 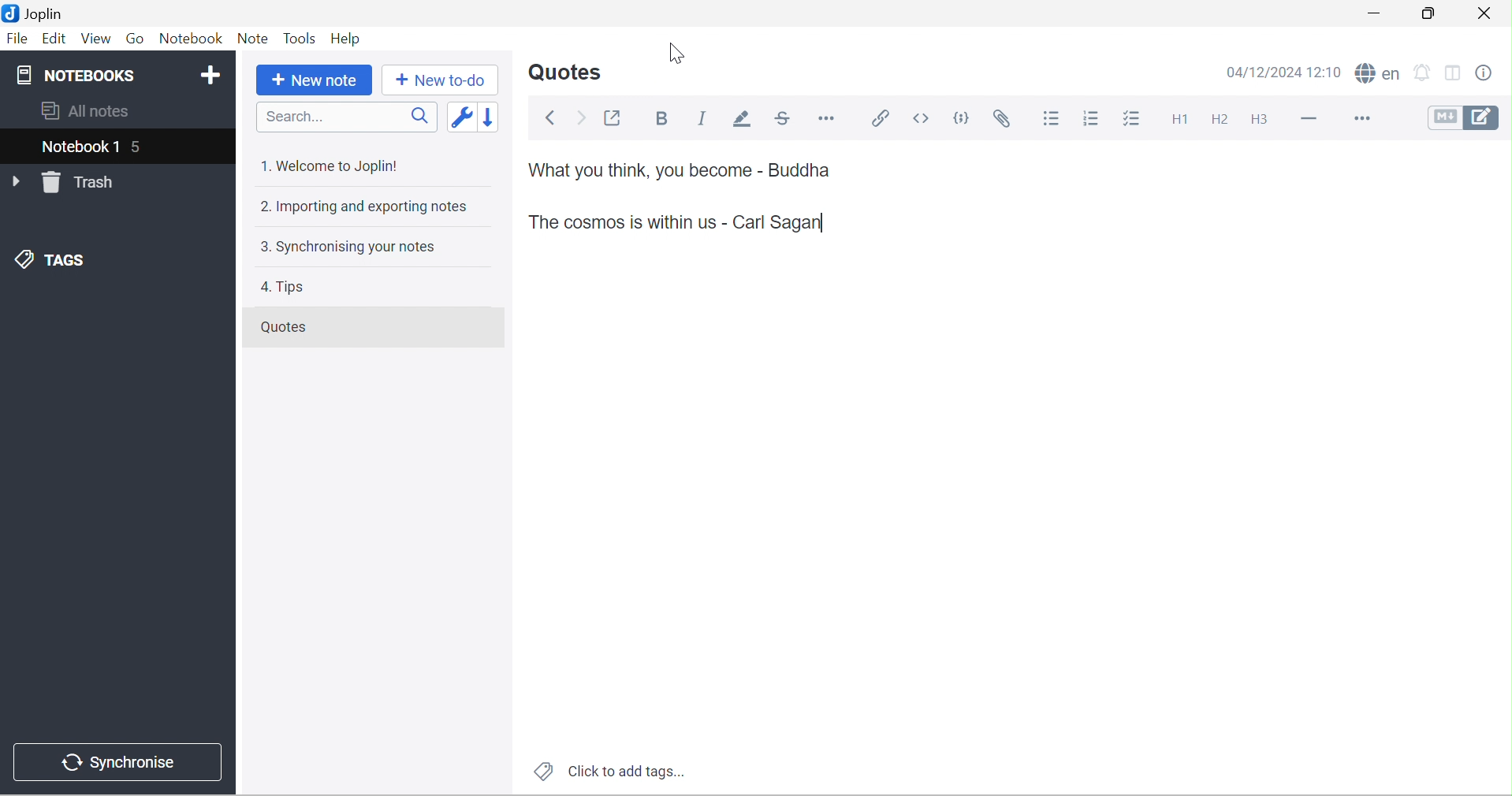 I want to click on 4. Tips, so click(x=284, y=287).